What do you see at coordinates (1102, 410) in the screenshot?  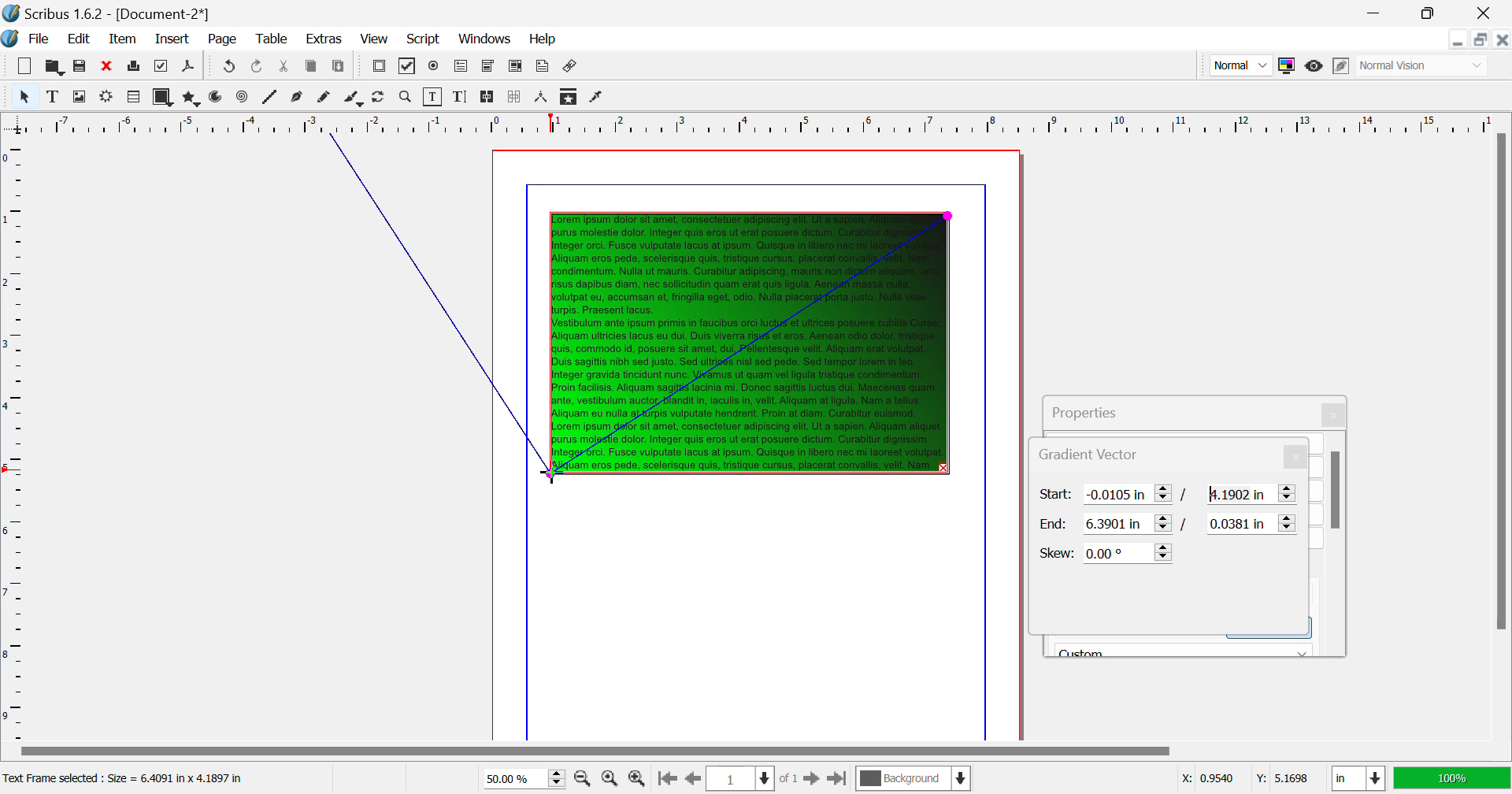 I see `Properties` at bounding box center [1102, 410].